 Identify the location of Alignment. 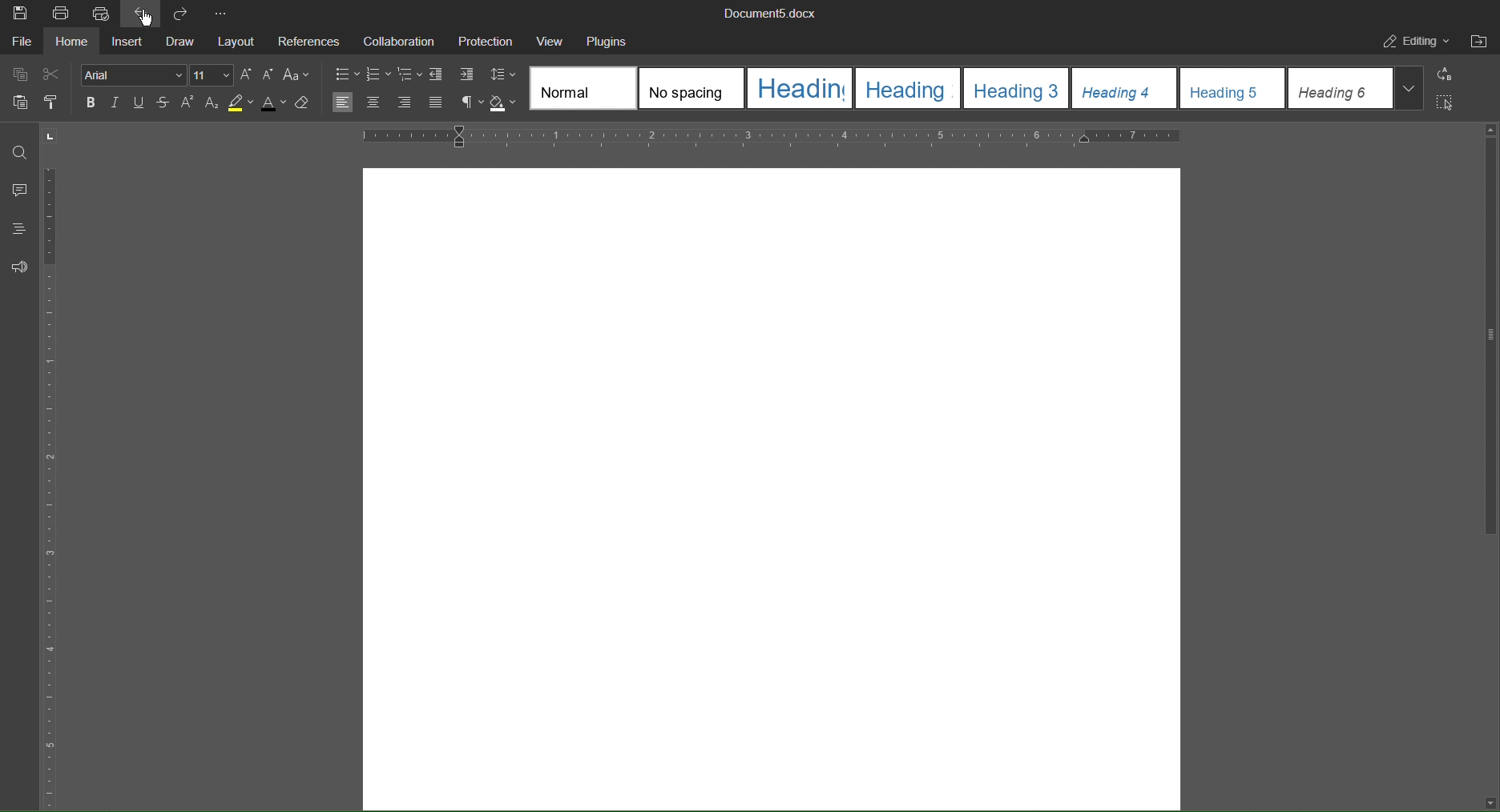
(390, 102).